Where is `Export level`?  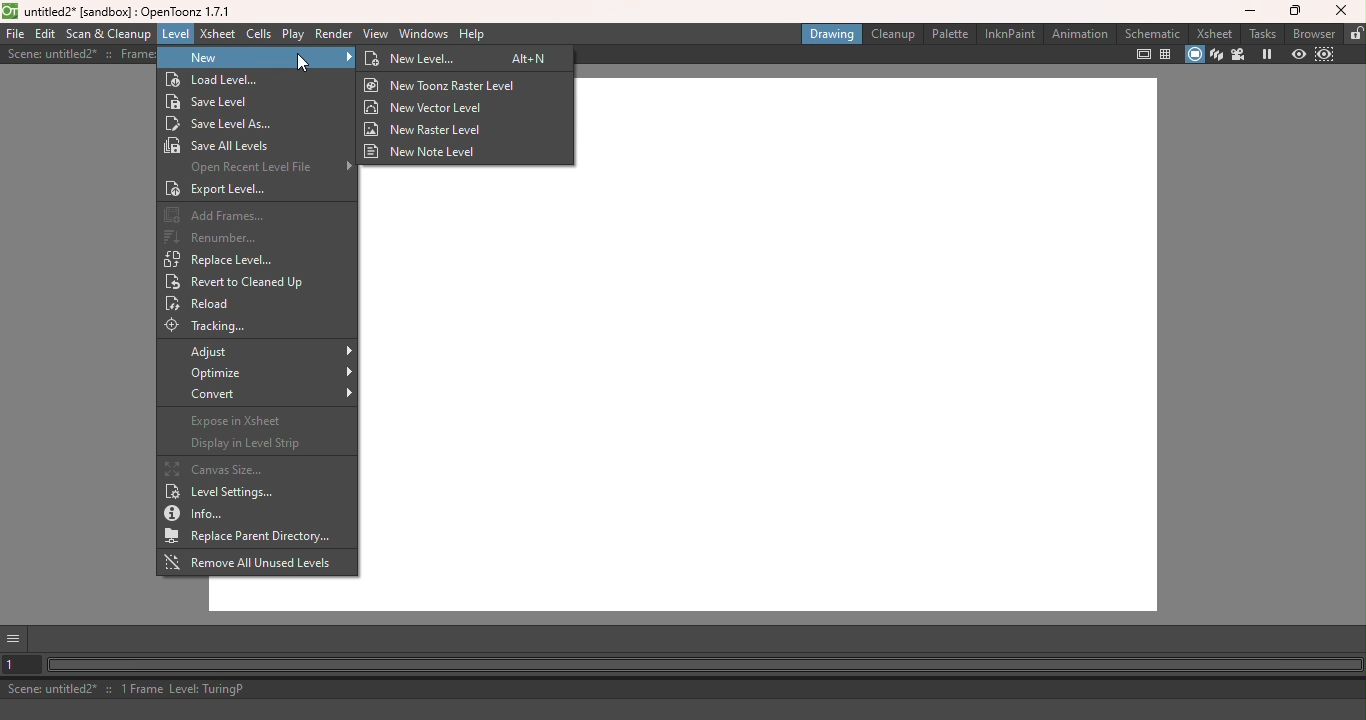
Export level is located at coordinates (223, 189).